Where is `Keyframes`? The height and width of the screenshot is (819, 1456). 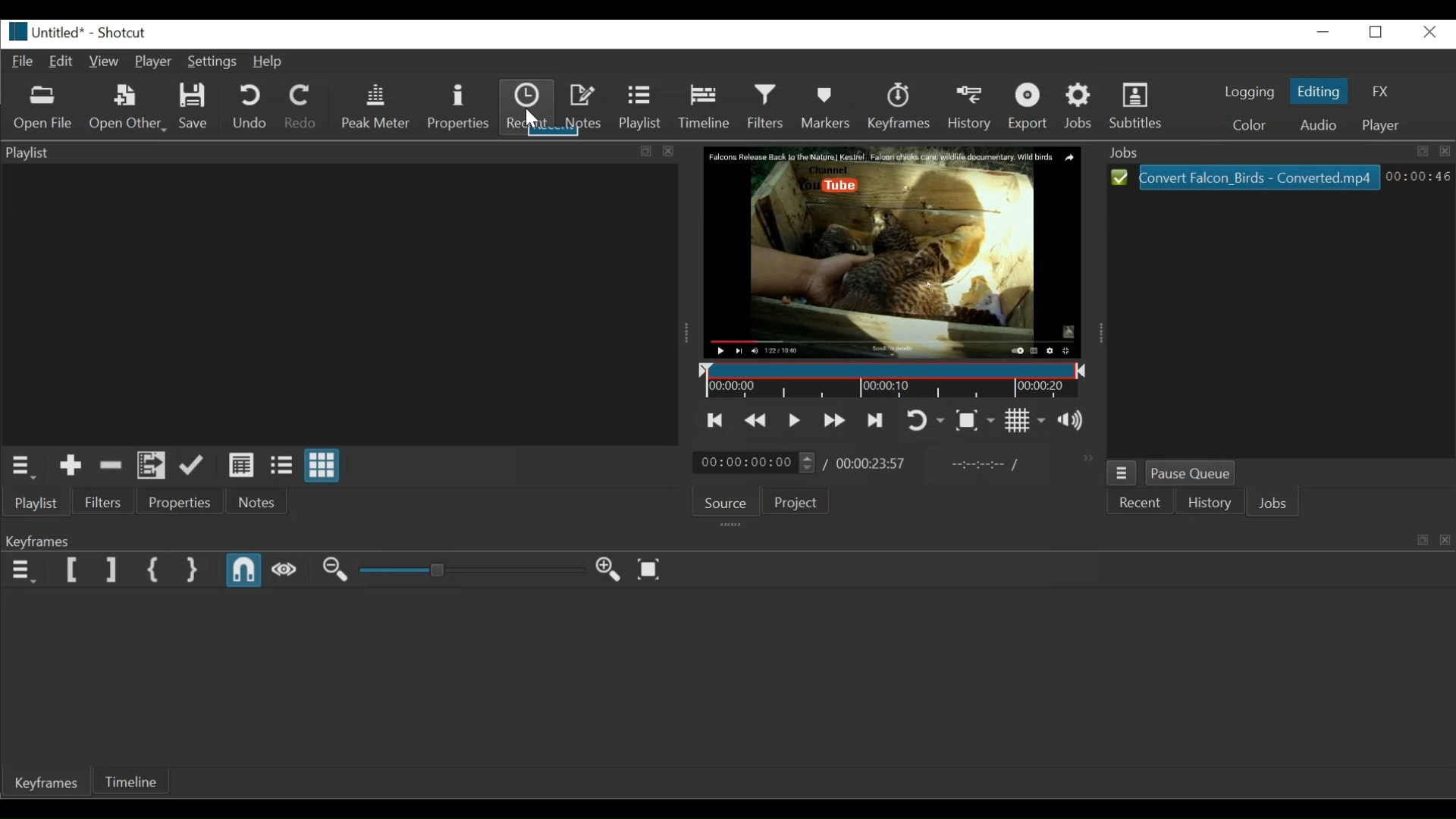 Keyframes is located at coordinates (899, 105).